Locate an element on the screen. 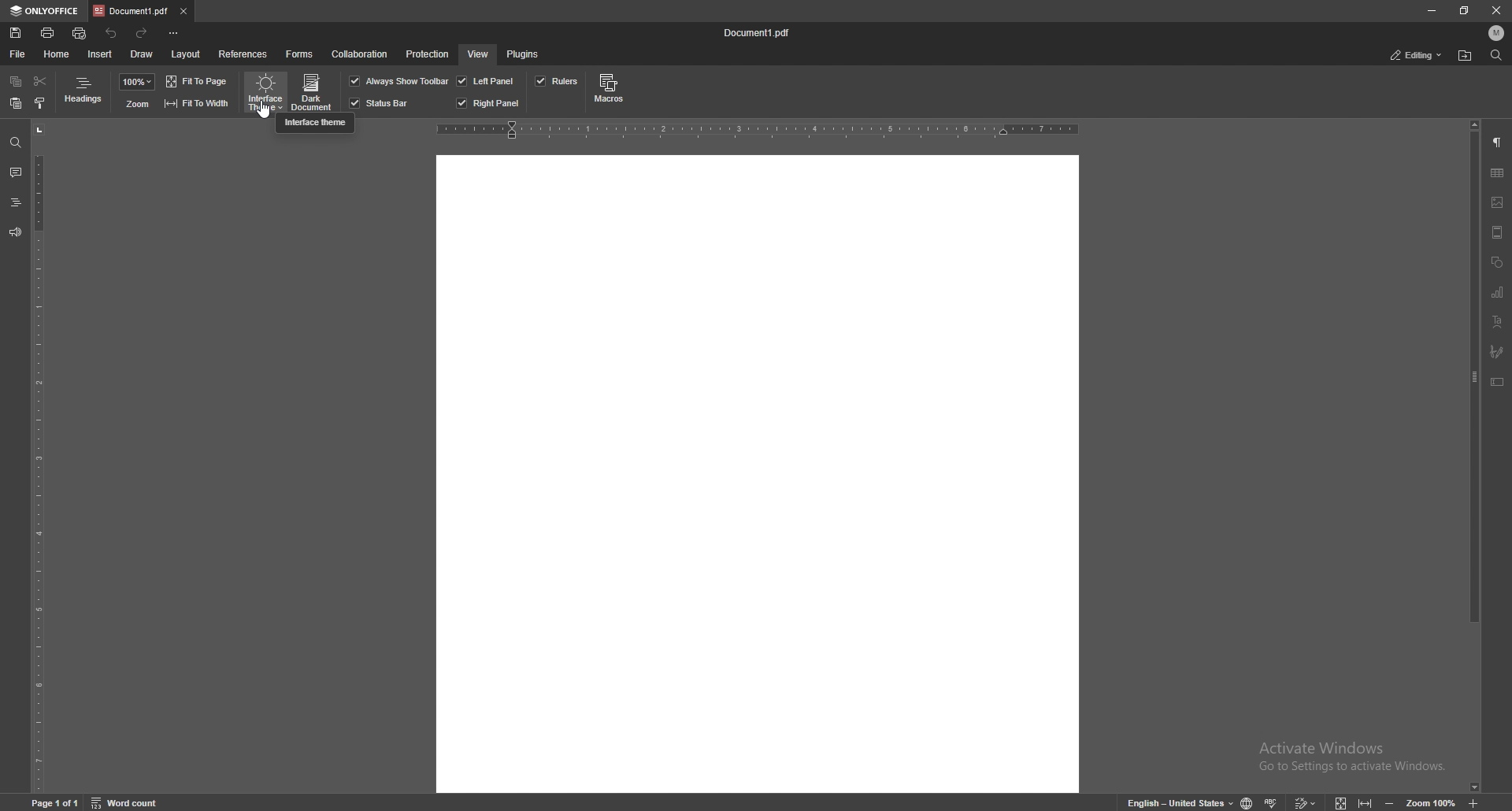  redo is located at coordinates (143, 34).